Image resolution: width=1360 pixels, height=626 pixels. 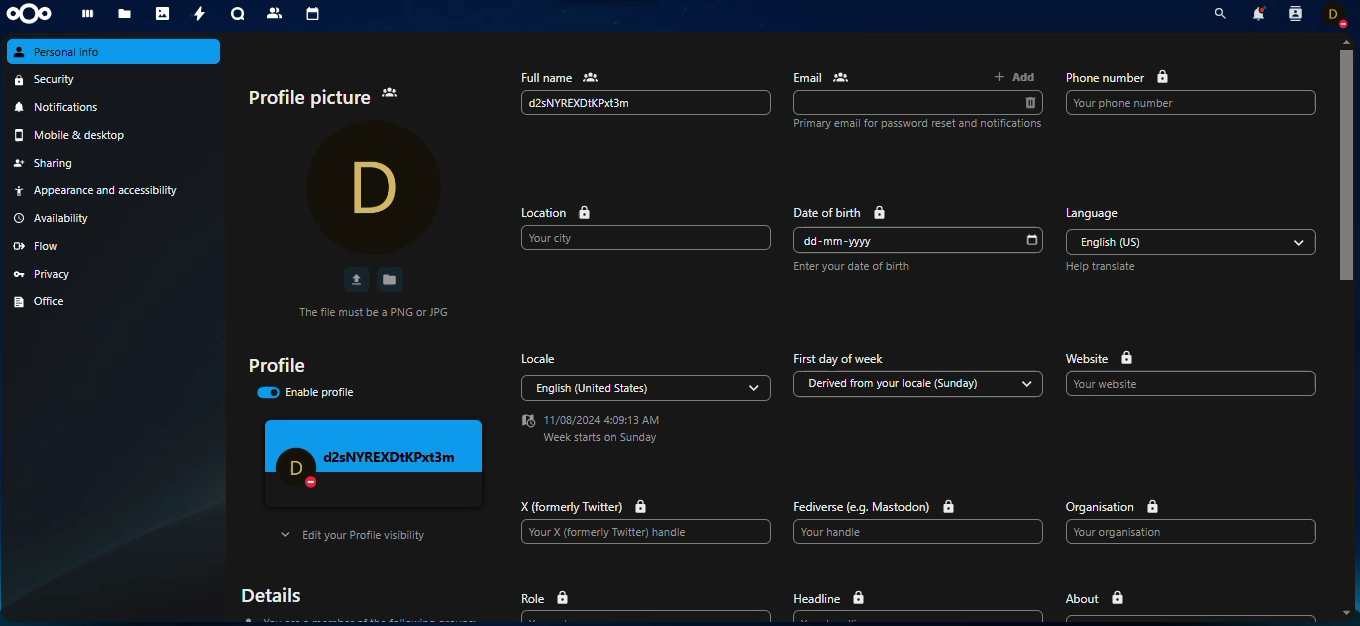 I want to click on Primary email for password reset and notifications, so click(x=917, y=123).